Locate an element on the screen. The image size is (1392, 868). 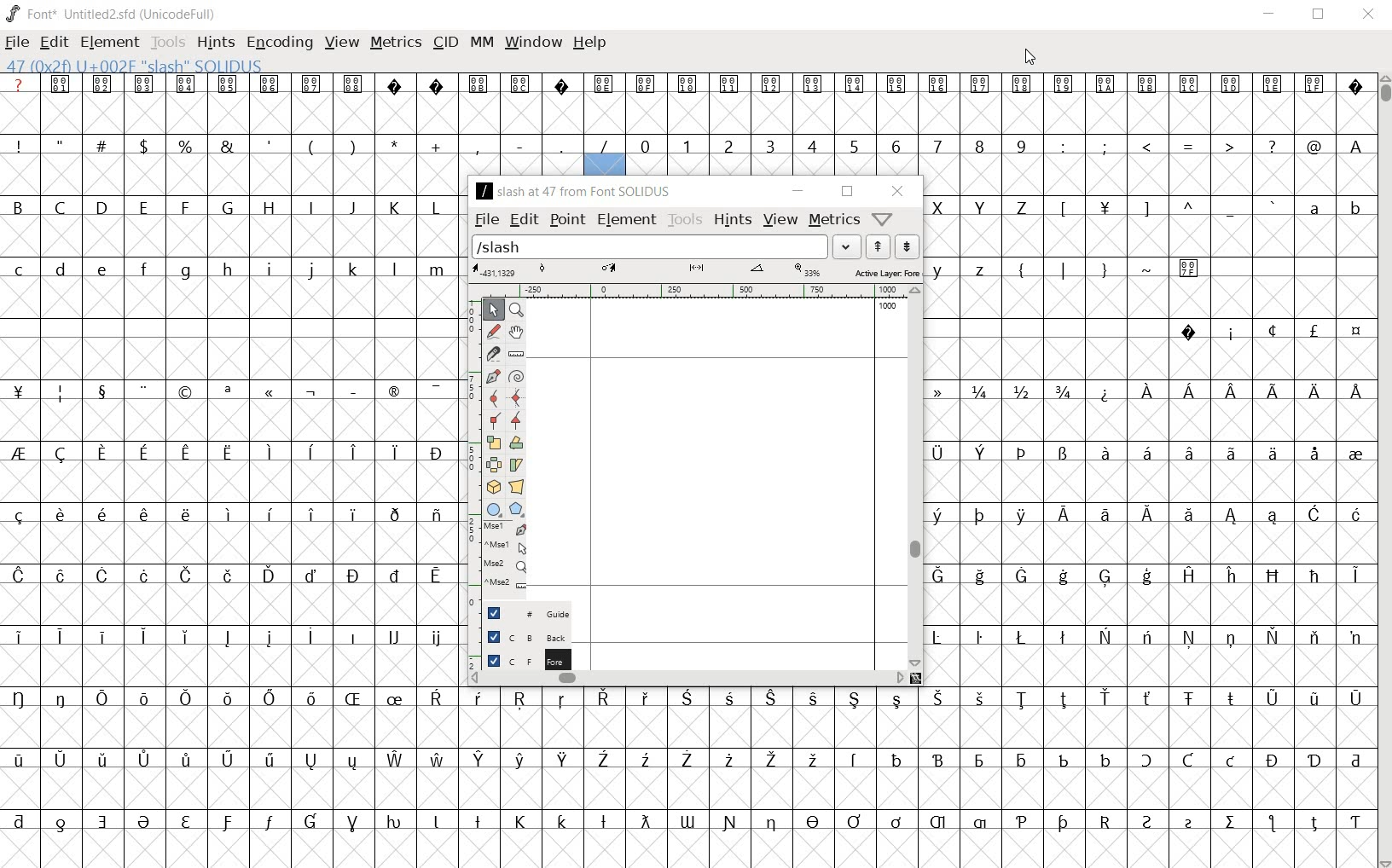
Special letters is located at coordinates (1250, 391).